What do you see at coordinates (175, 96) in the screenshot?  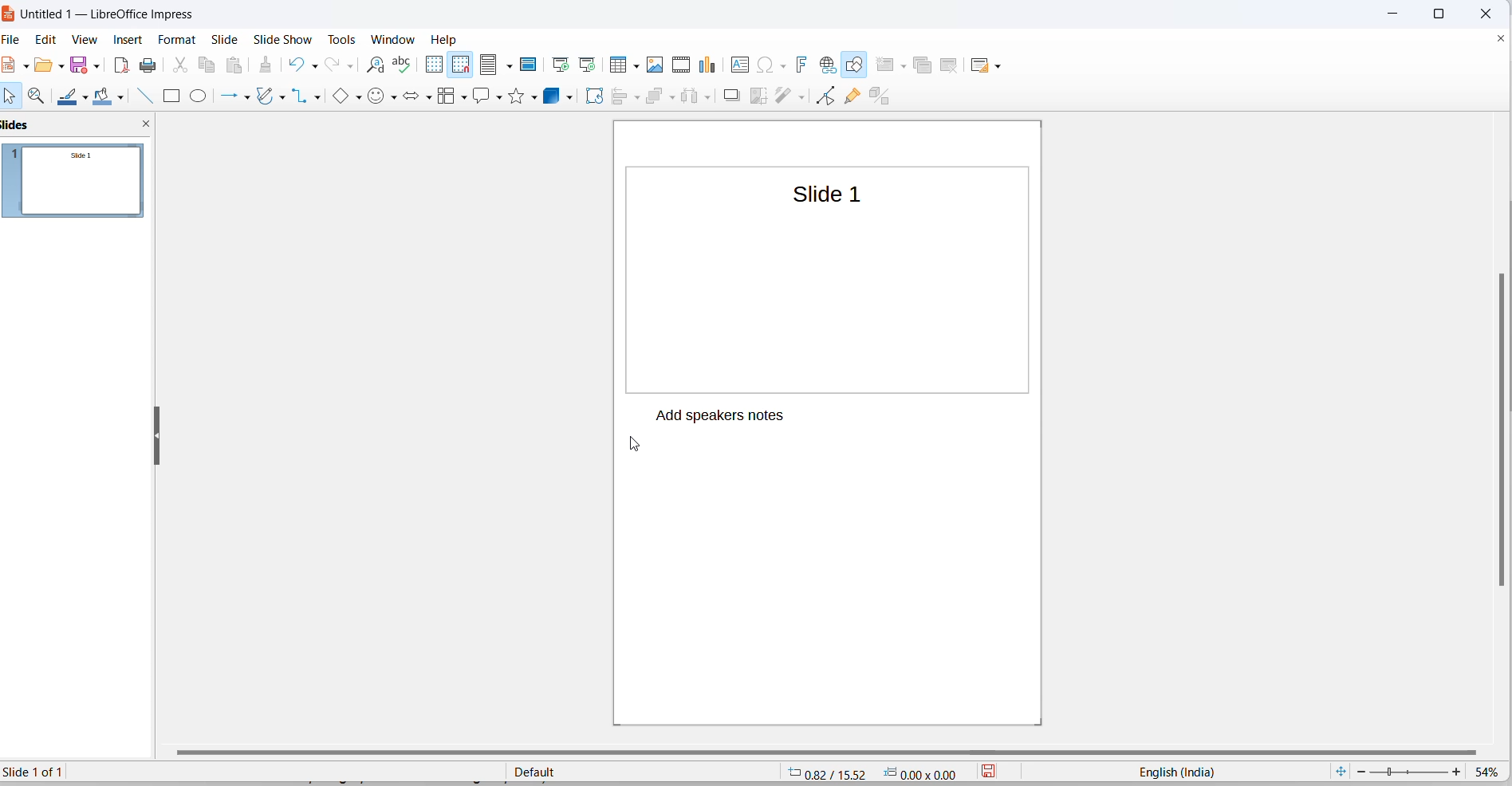 I see `rectangle` at bounding box center [175, 96].